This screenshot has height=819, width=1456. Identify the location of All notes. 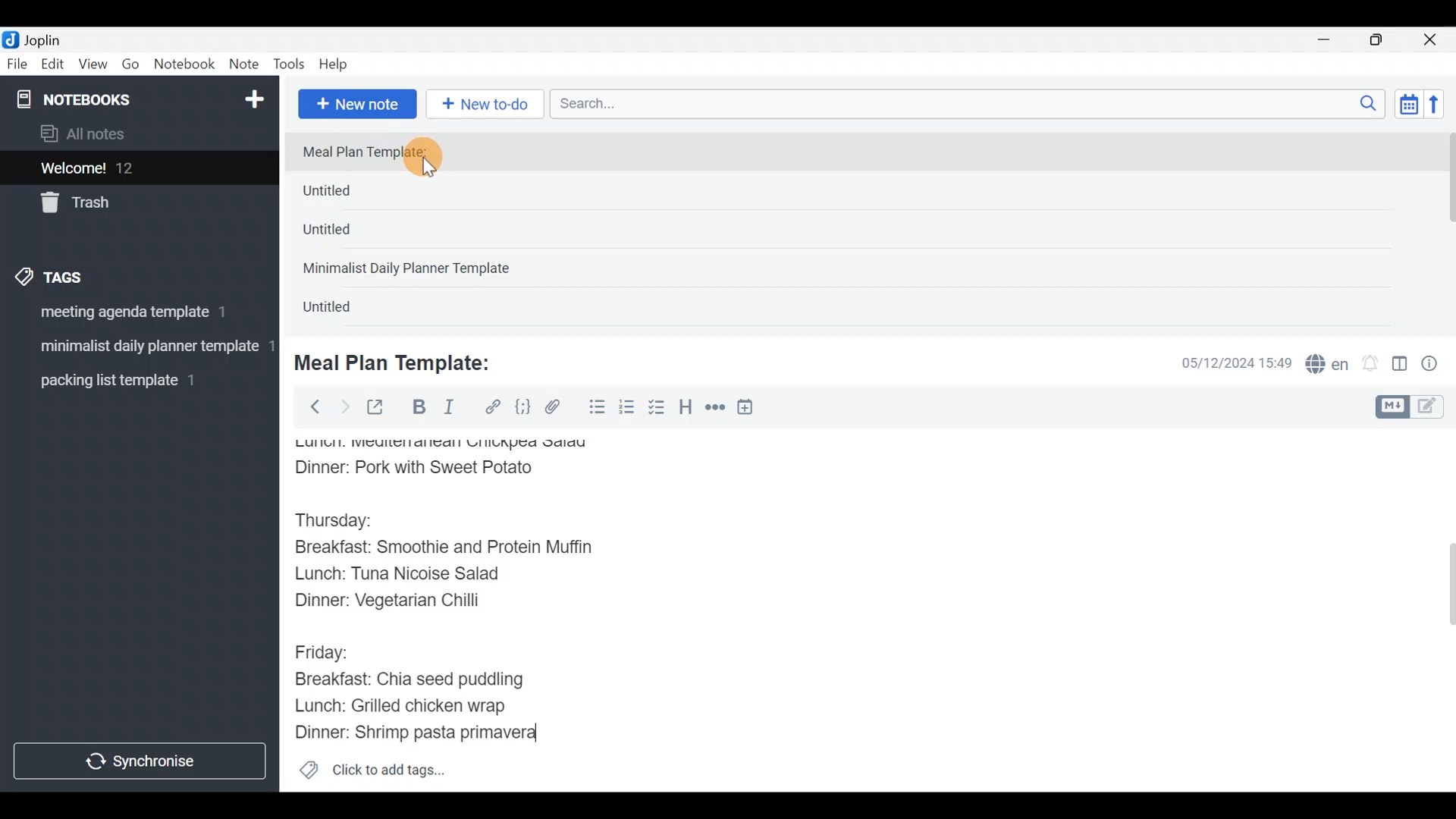
(136, 135).